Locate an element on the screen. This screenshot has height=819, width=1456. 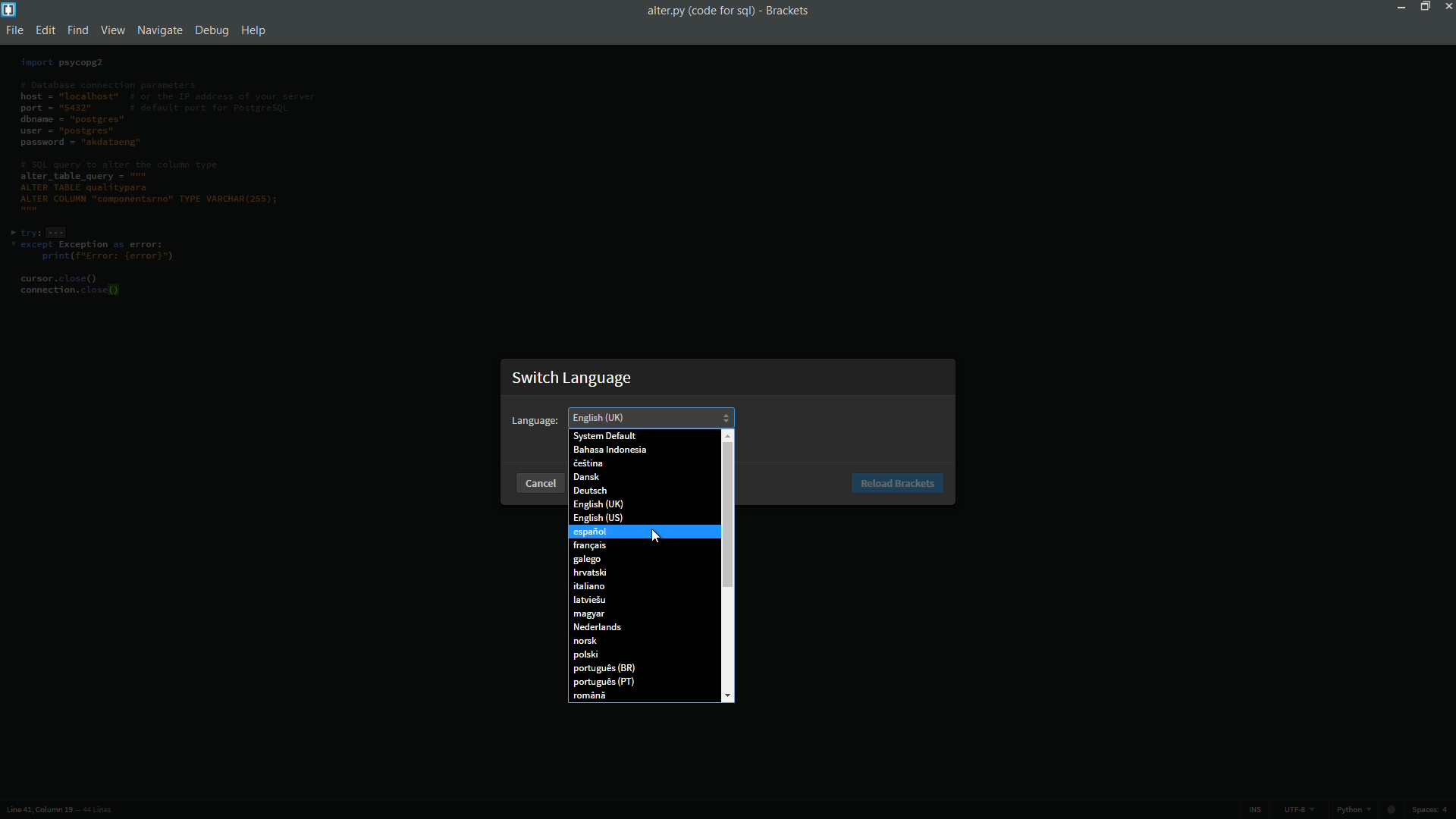
latviesu is located at coordinates (644, 600).